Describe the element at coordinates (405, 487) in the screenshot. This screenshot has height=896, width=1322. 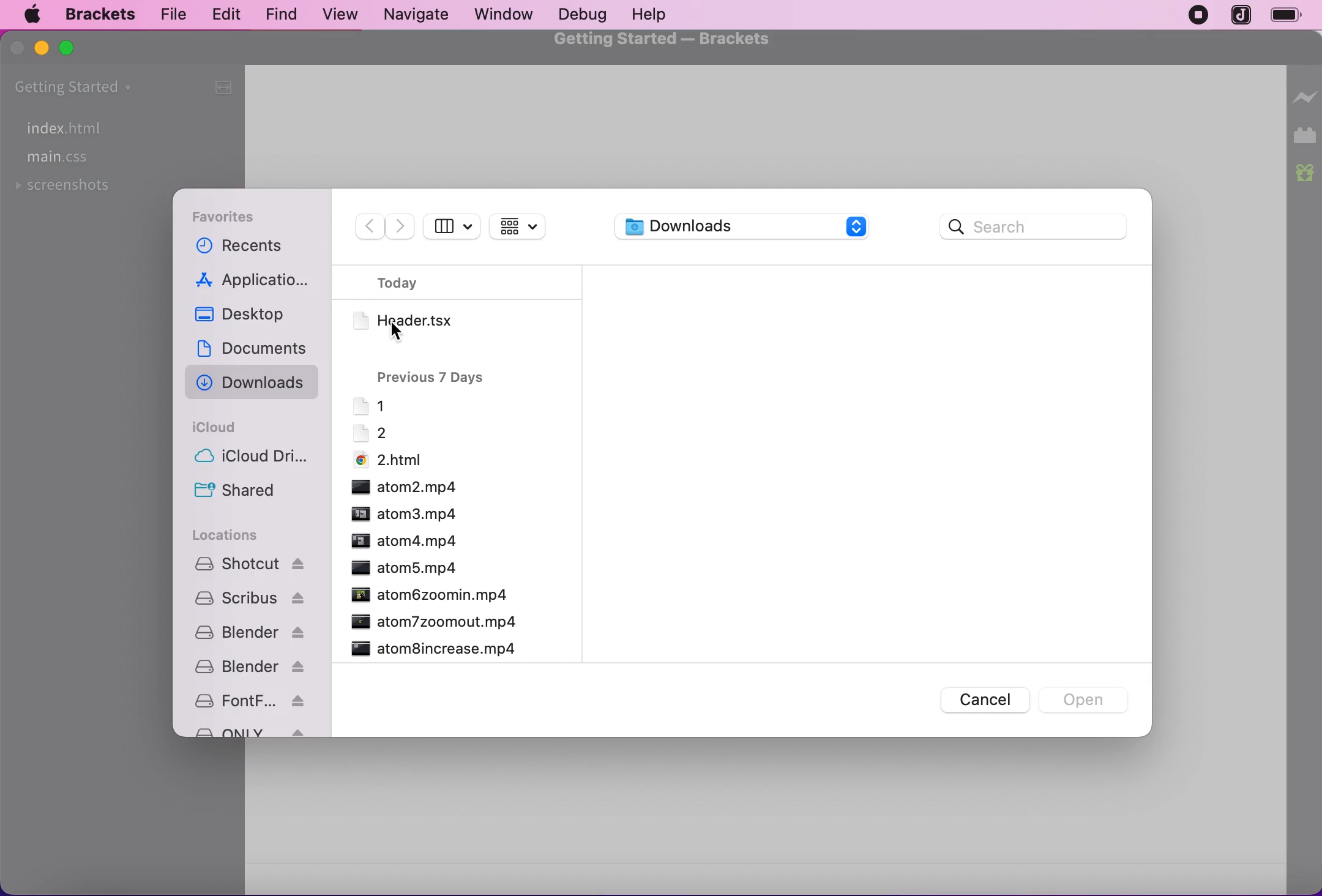
I see `atom2.mp4` at that location.